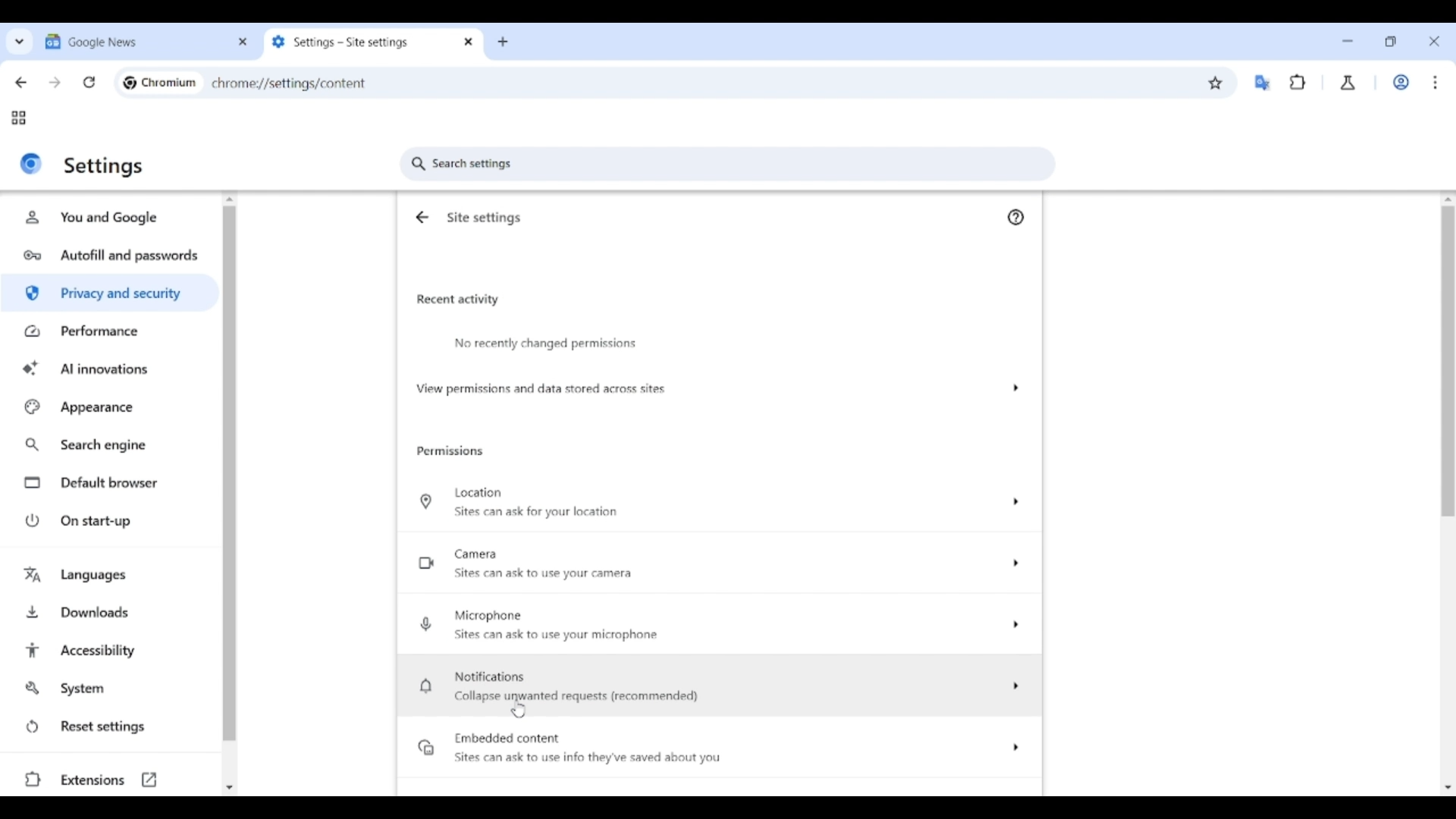 The height and width of the screenshot is (819, 1456). Describe the element at coordinates (20, 83) in the screenshot. I see `Go back` at that location.